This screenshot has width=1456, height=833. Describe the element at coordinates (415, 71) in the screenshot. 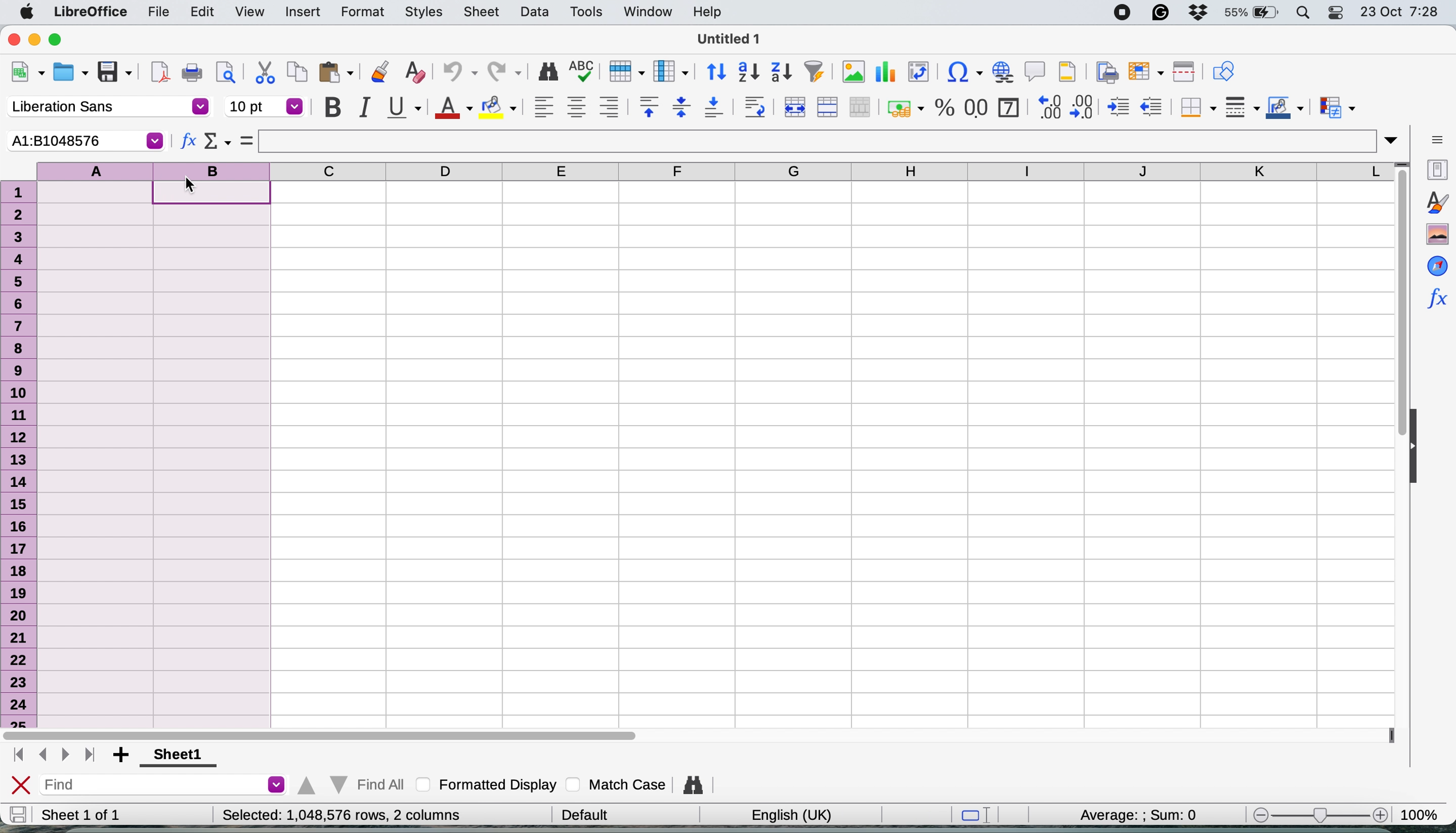

I see `clear direct formatting` at that location.